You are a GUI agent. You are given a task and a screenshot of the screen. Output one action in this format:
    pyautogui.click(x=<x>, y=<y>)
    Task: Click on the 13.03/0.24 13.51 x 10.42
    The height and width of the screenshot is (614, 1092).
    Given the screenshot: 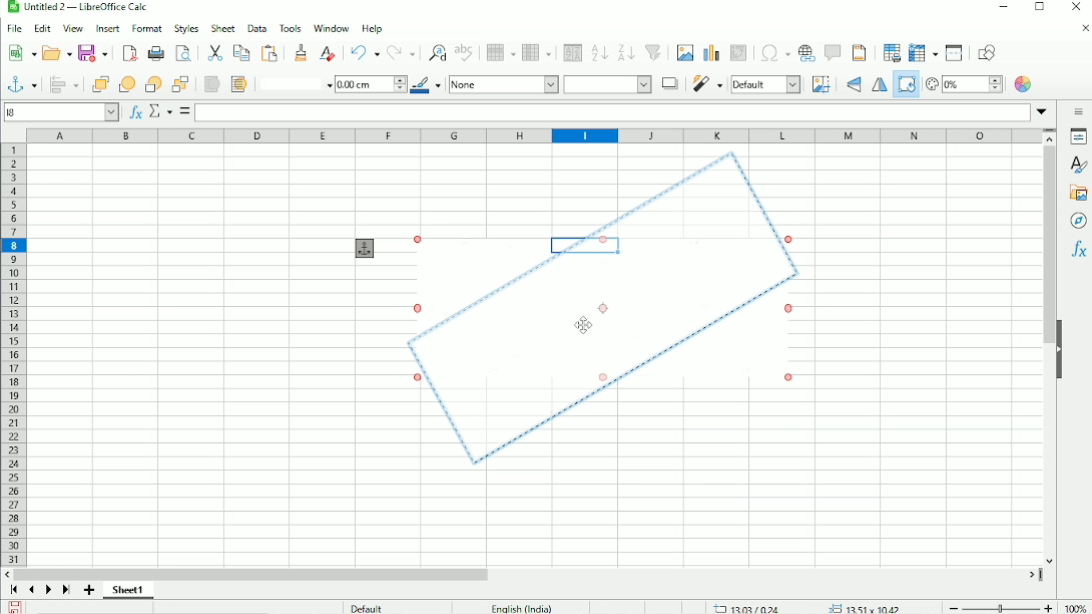 What is the action you would take?
    pyautogui.click(x=809, y=607)
    